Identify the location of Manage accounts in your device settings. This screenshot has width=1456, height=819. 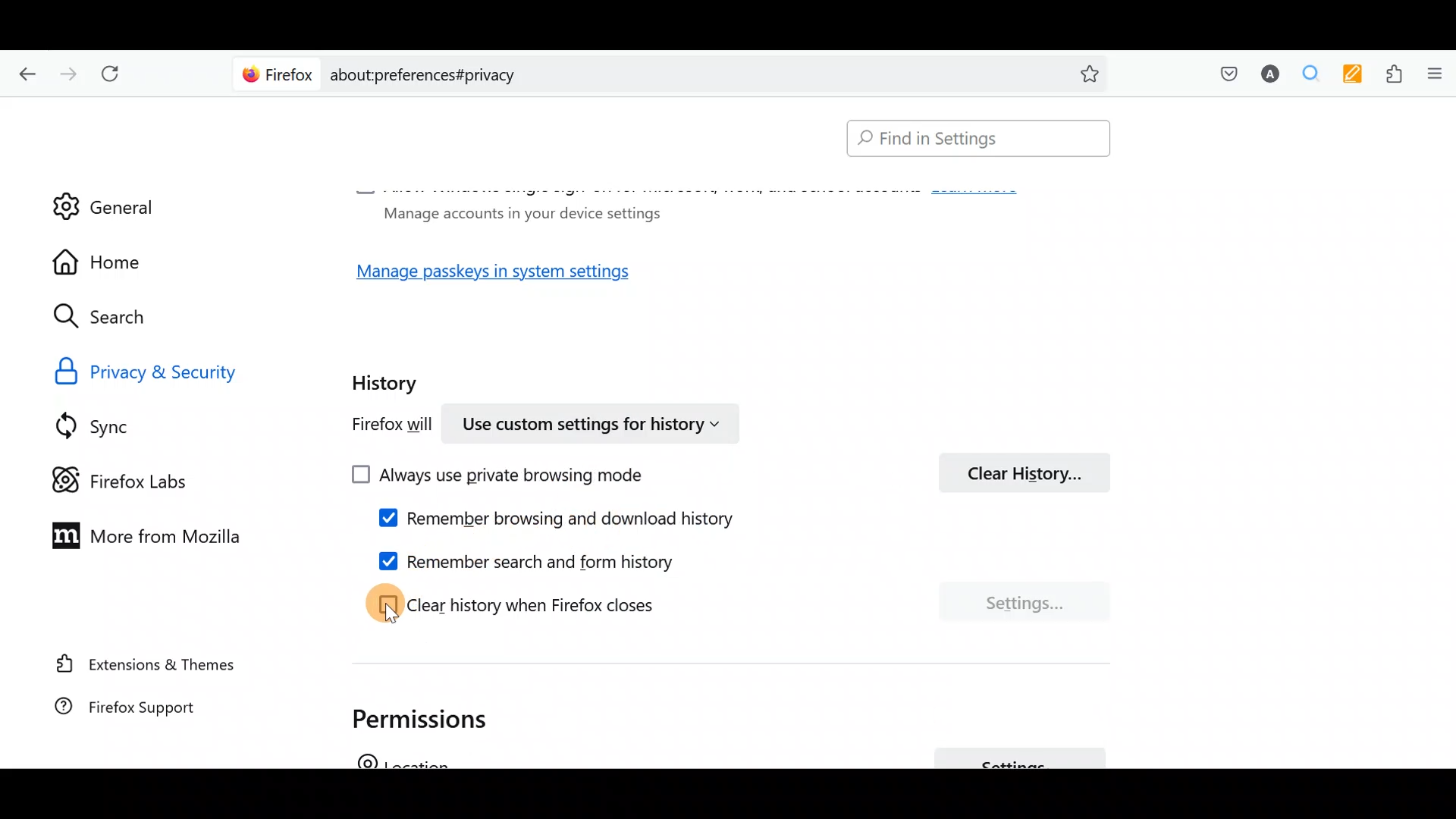
(517, 212).